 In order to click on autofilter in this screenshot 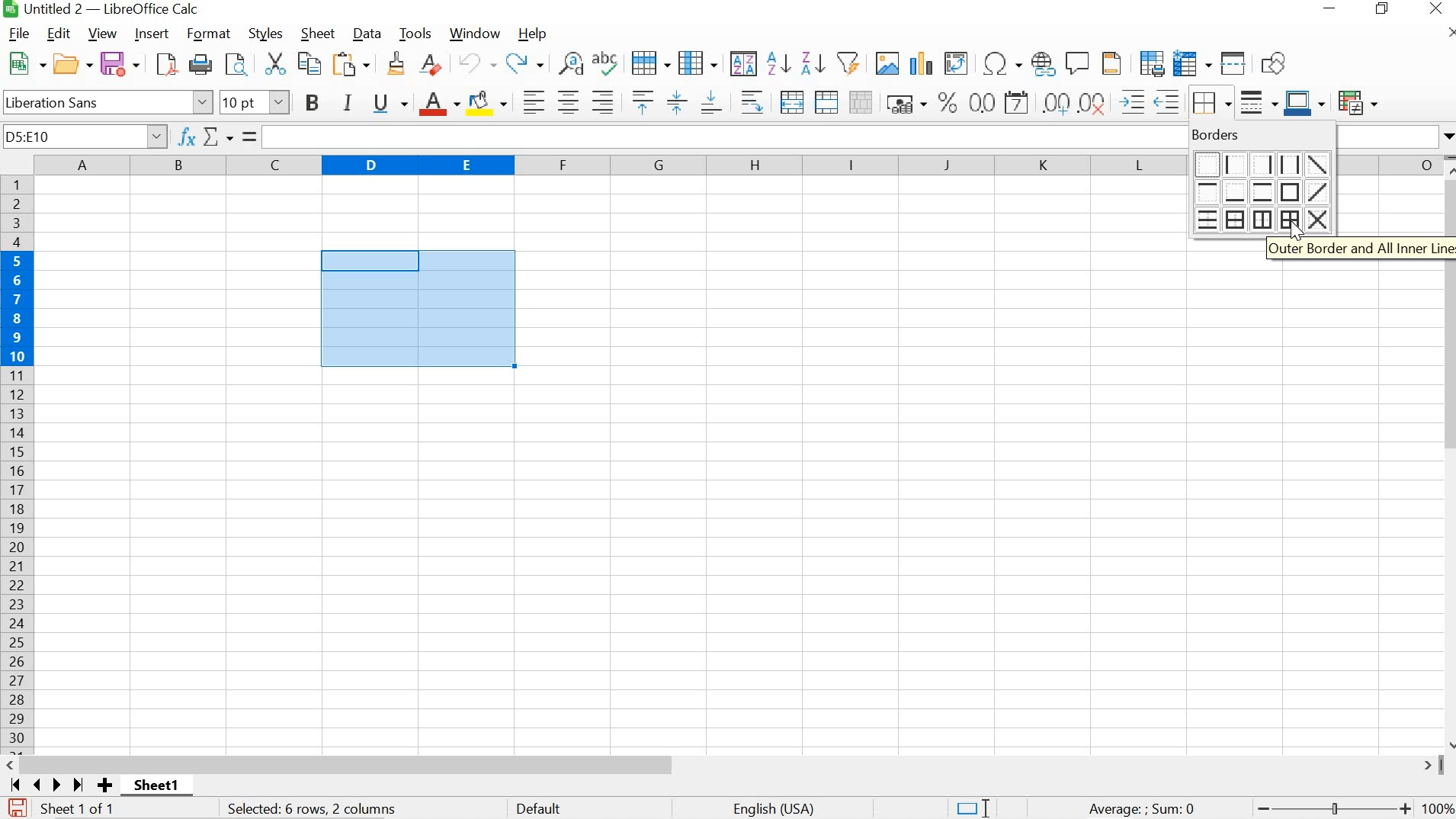, I will do `click(851, 63)`.